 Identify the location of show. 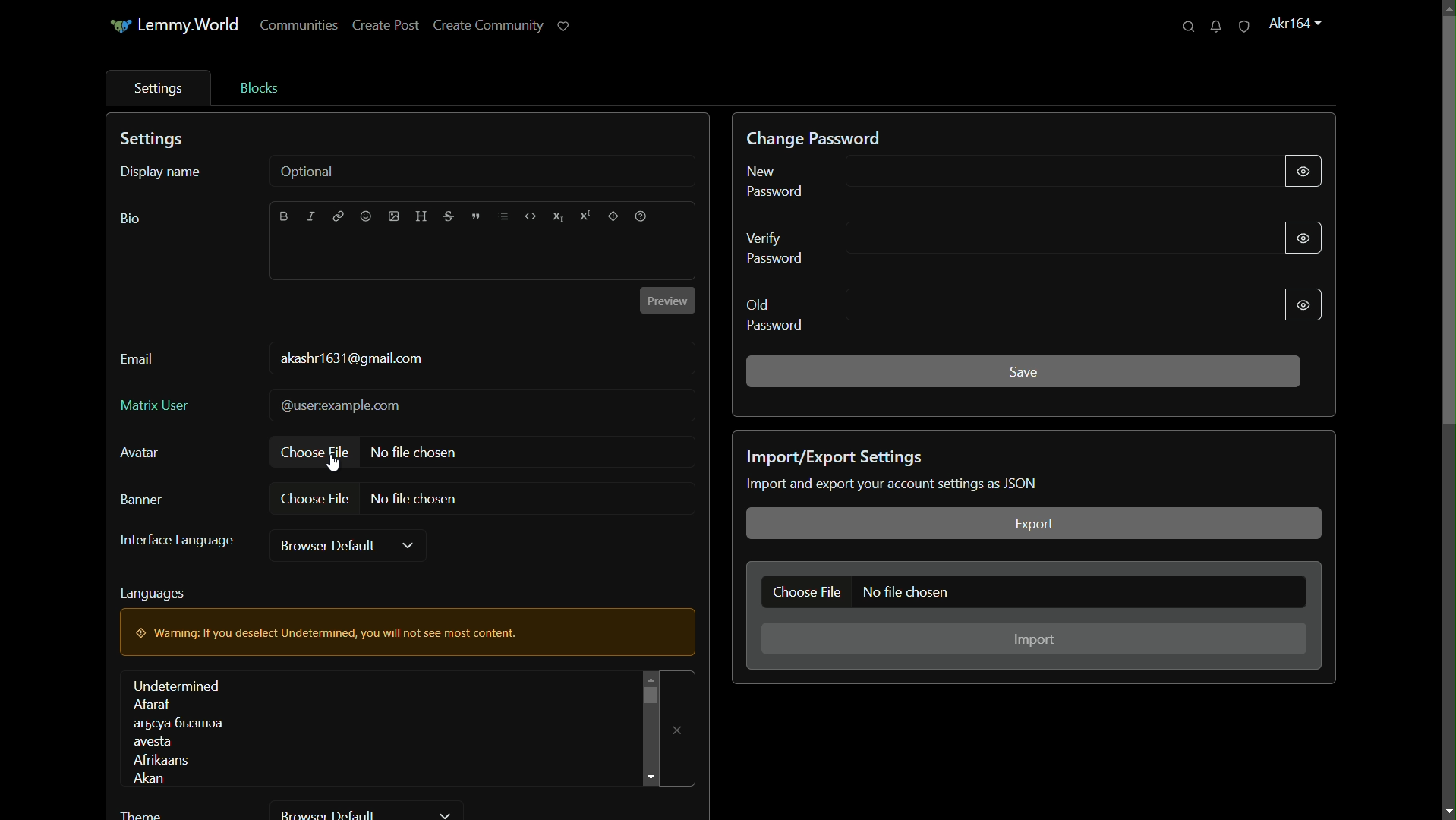
(1302, 168).